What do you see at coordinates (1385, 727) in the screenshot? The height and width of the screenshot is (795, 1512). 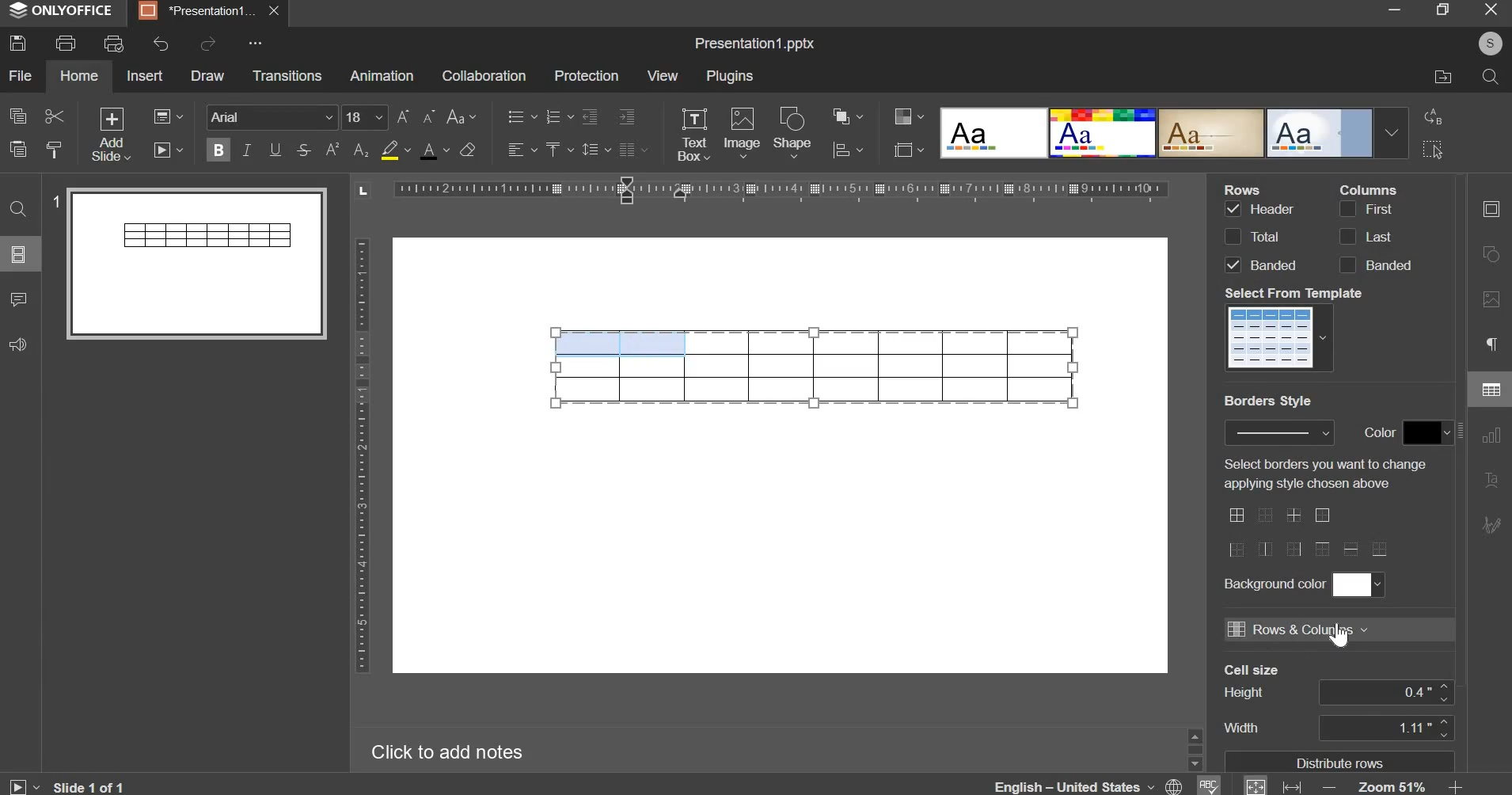 I see `cell width` at bounding box center [1385, 727].